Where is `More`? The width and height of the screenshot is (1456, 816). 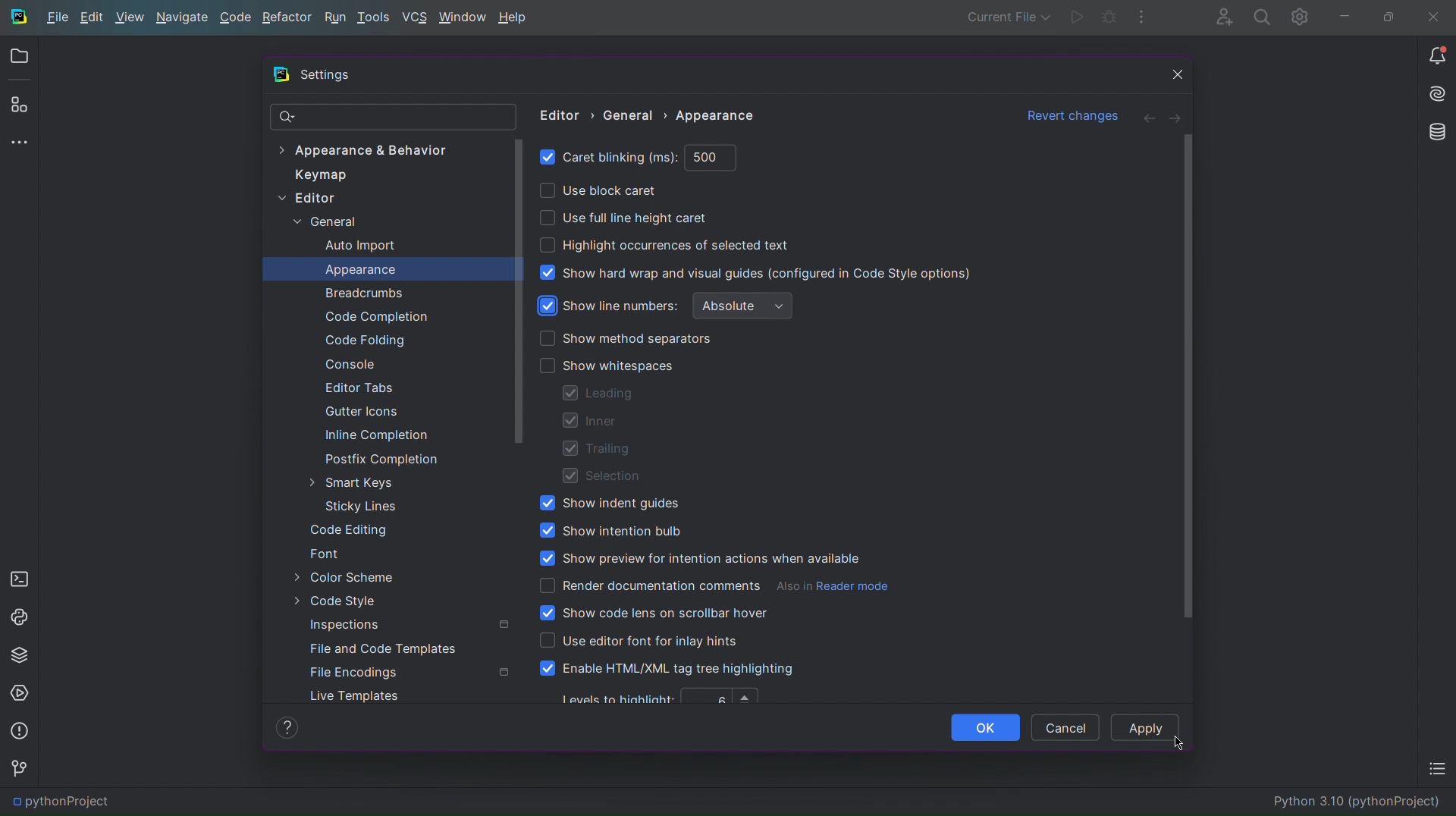 More is located at coordinates (1144, 18).